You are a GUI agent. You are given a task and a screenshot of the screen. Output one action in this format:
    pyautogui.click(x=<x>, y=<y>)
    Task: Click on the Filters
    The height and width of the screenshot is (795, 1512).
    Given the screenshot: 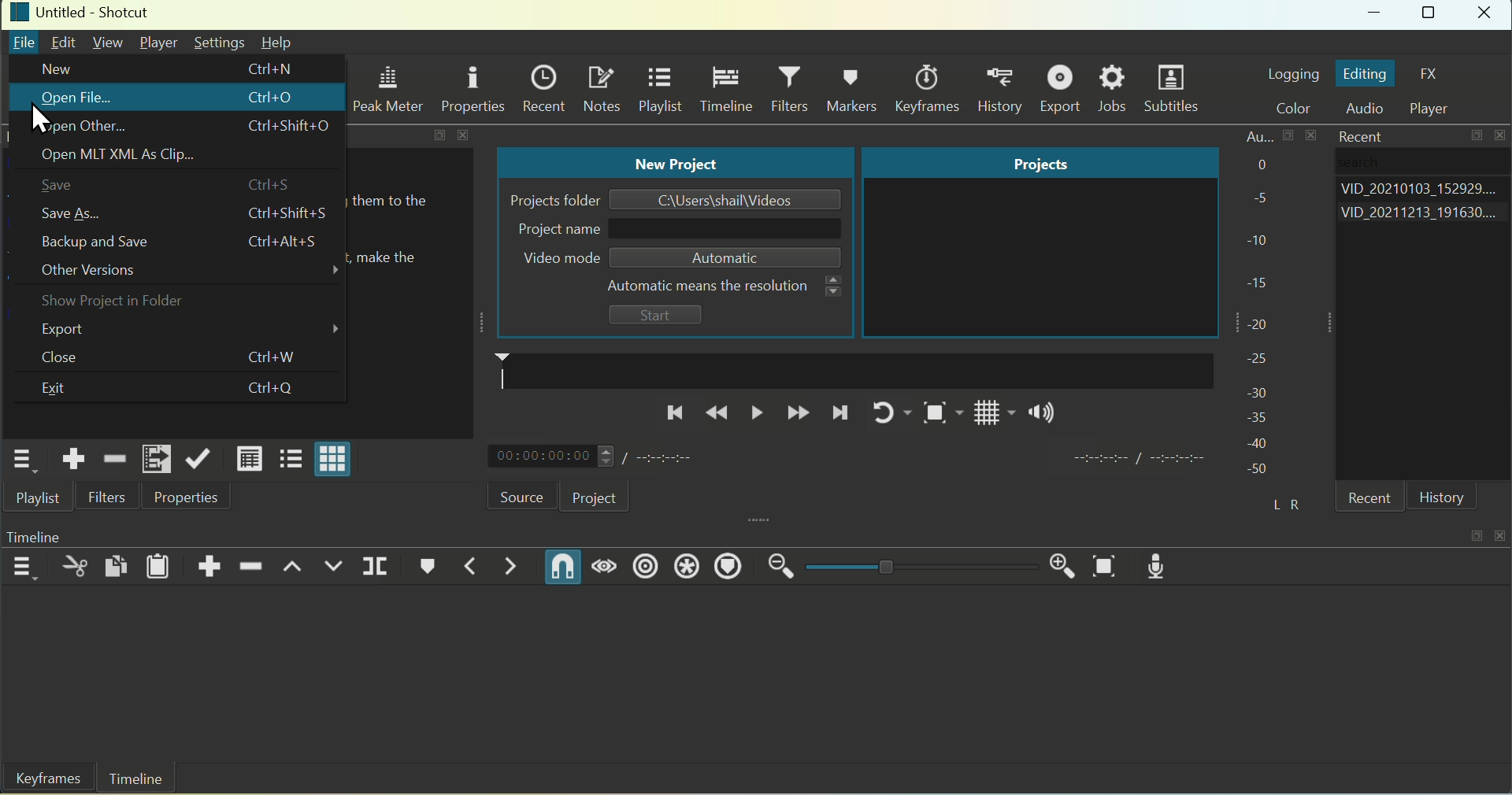 What is the action you would take?
    pyautogui.click(x=108, y=497)
    